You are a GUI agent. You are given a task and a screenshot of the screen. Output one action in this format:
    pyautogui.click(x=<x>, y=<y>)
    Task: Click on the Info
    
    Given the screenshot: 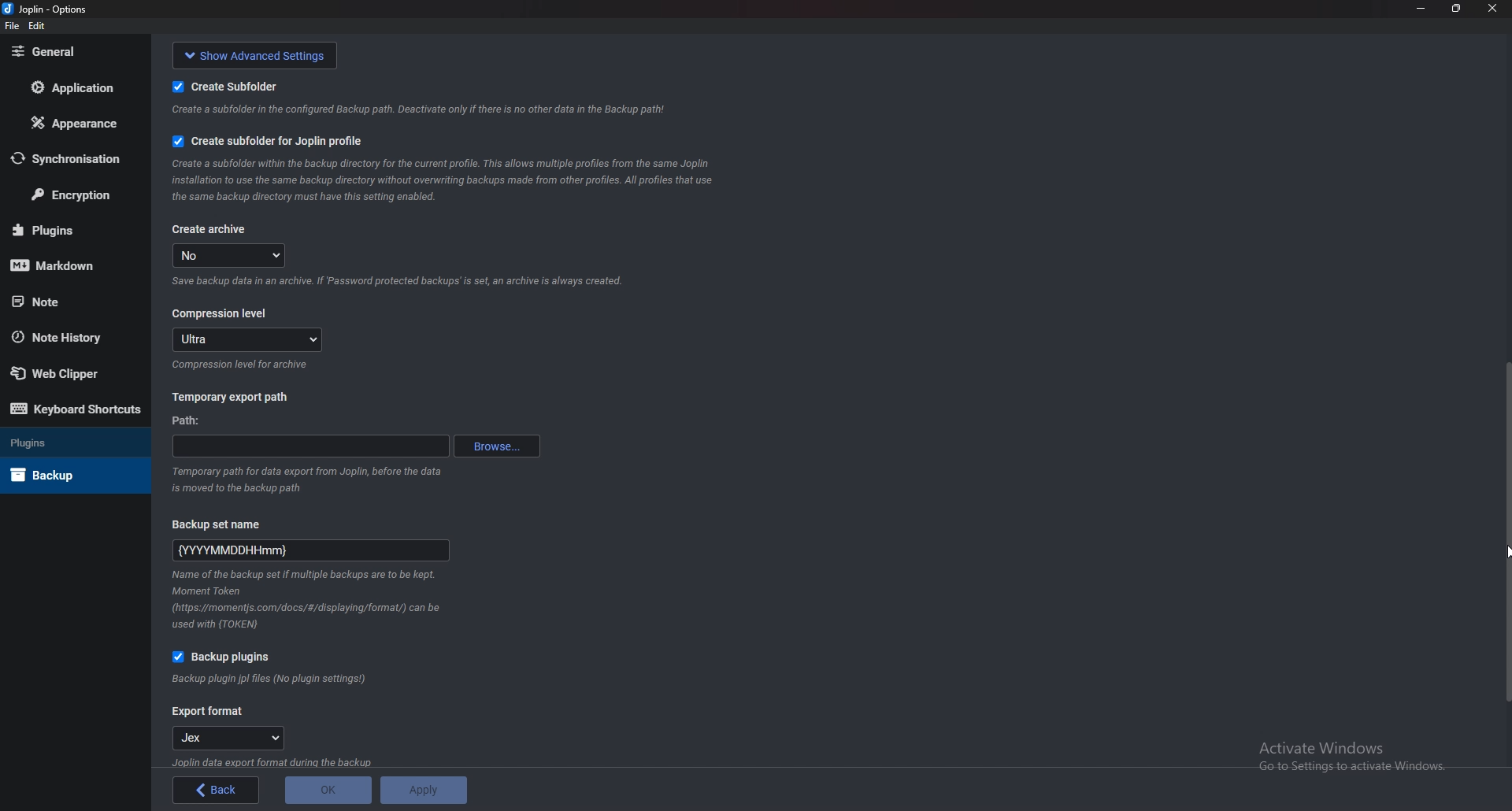 What is the action you would take?
    pyautogui.click(x=400, y=281)
    